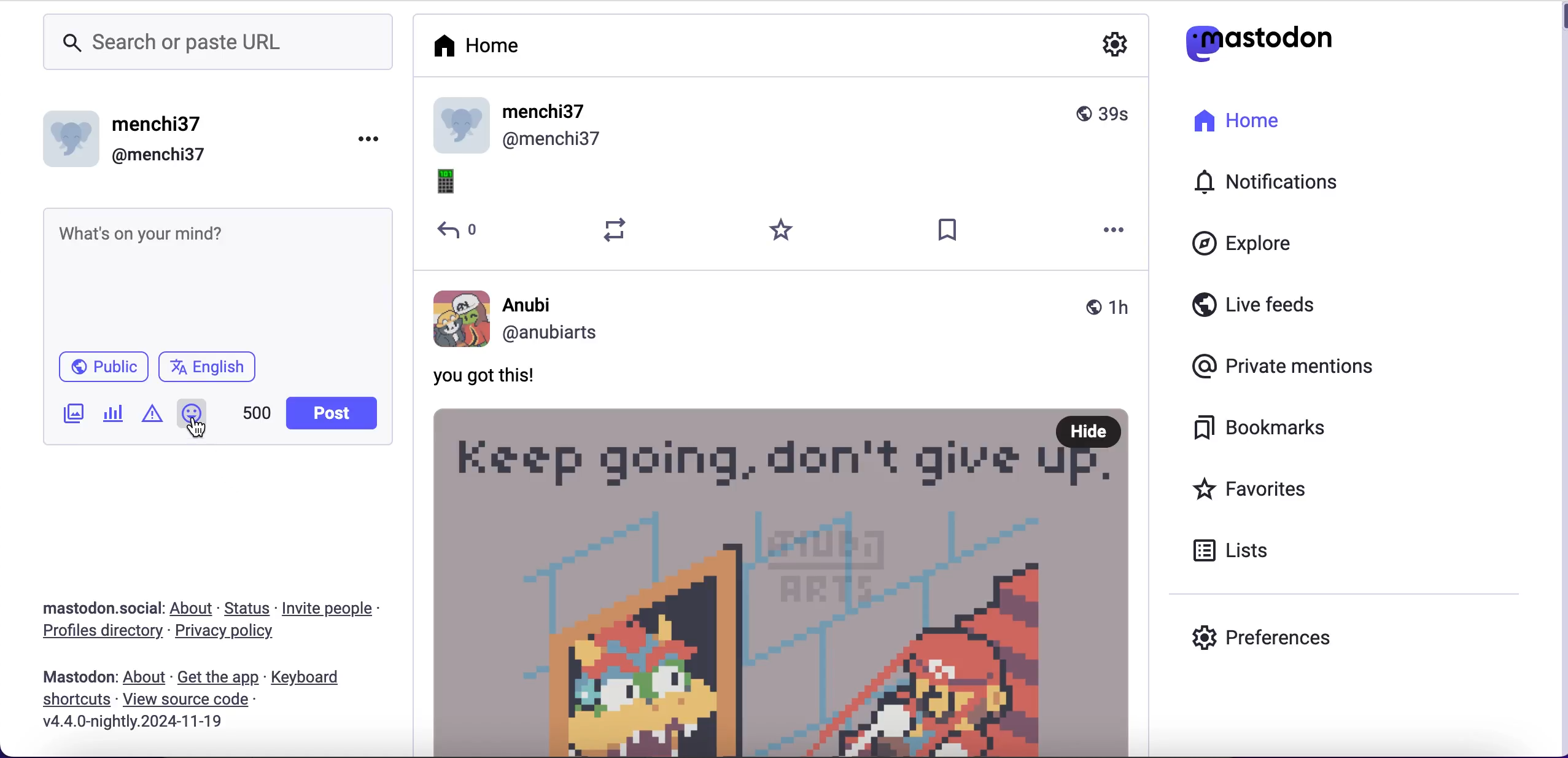  What do you see at coordinates (217, 368) in the screenshot?
I see `english` at bounding box center [217, 368].